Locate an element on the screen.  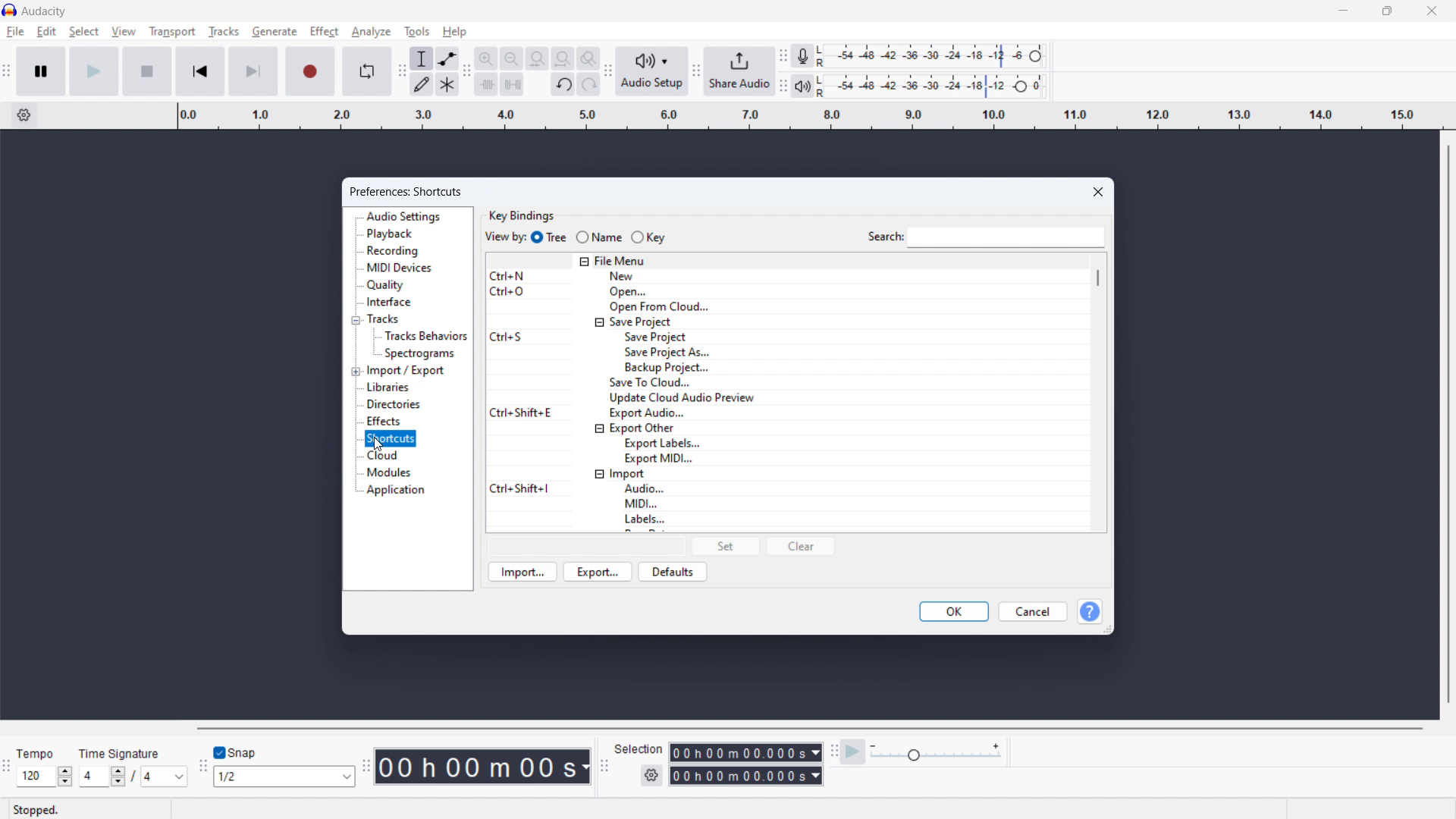
select is located at coordinates (84, 31).